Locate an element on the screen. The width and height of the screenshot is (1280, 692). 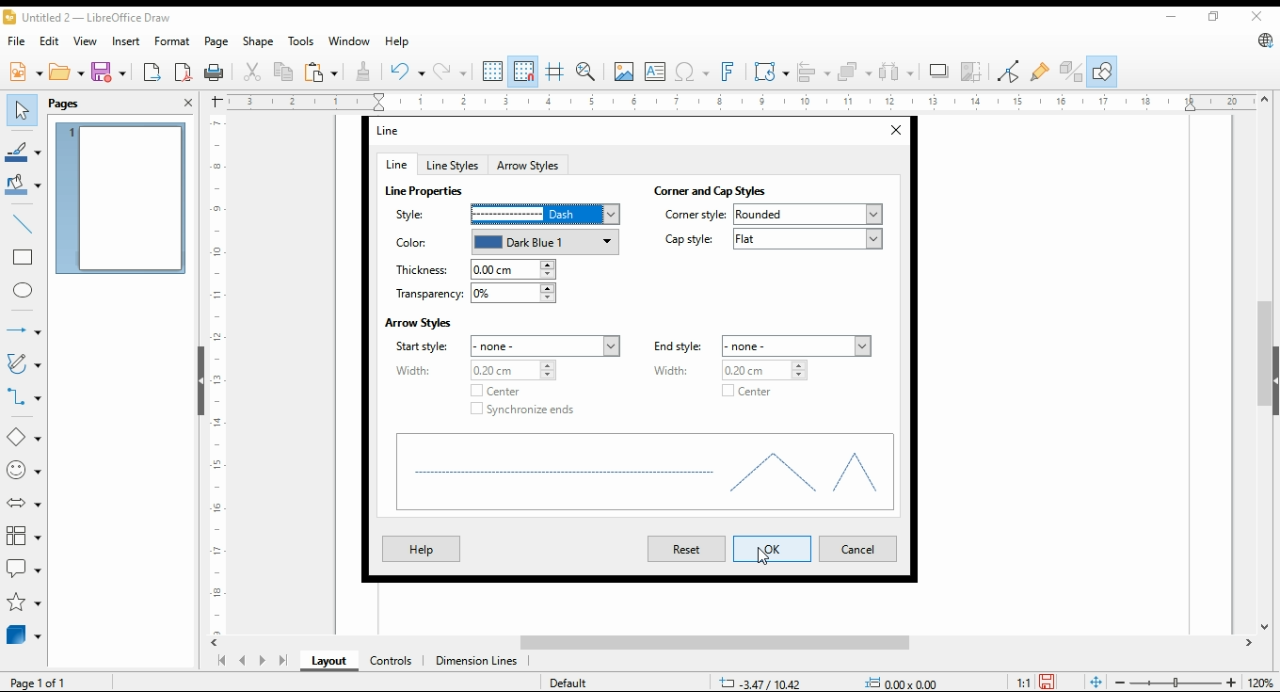
block arrows is located at coordinates (26, 503).